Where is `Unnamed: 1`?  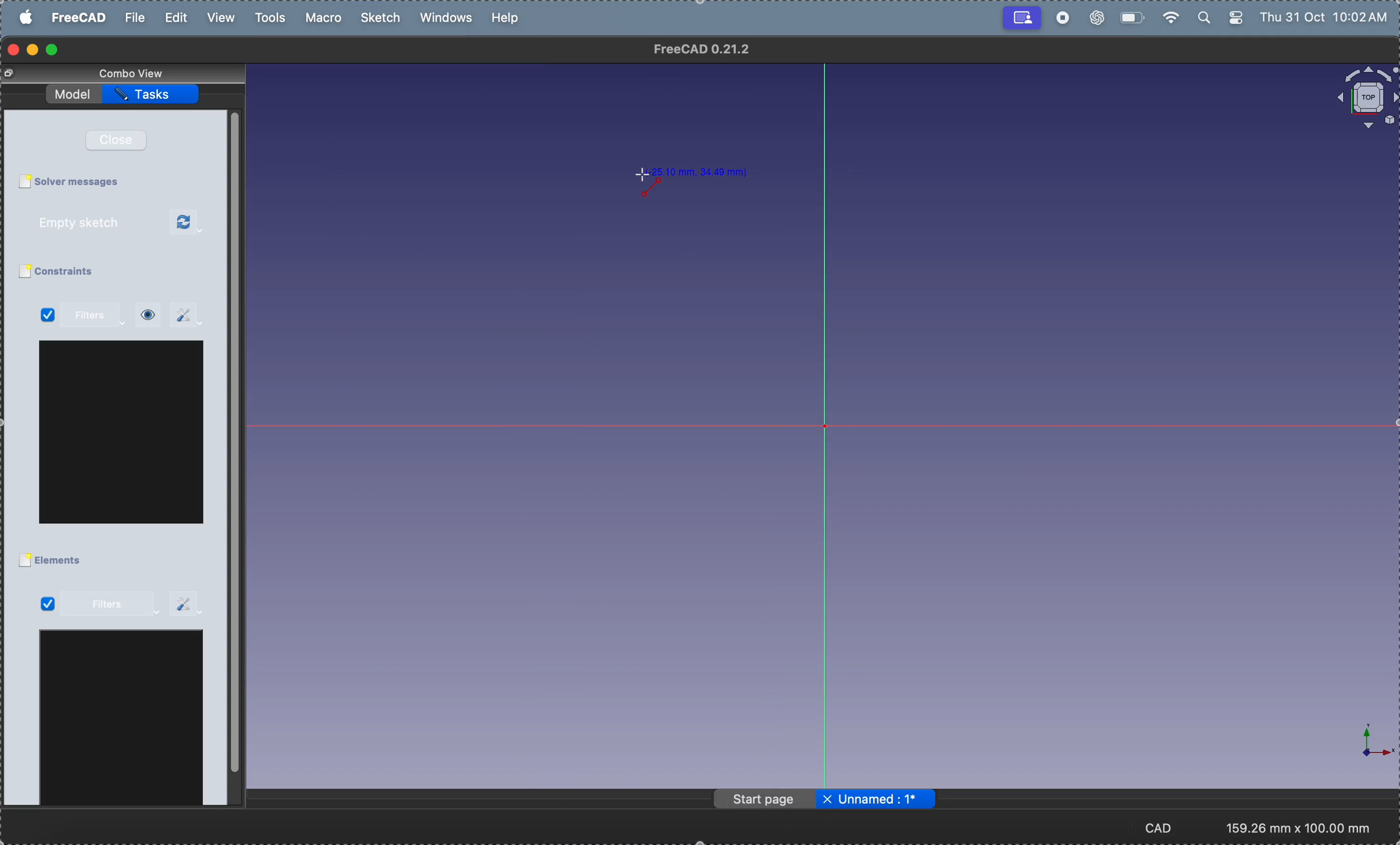
Unnamed: 1 is located at coordinates (887, 799).